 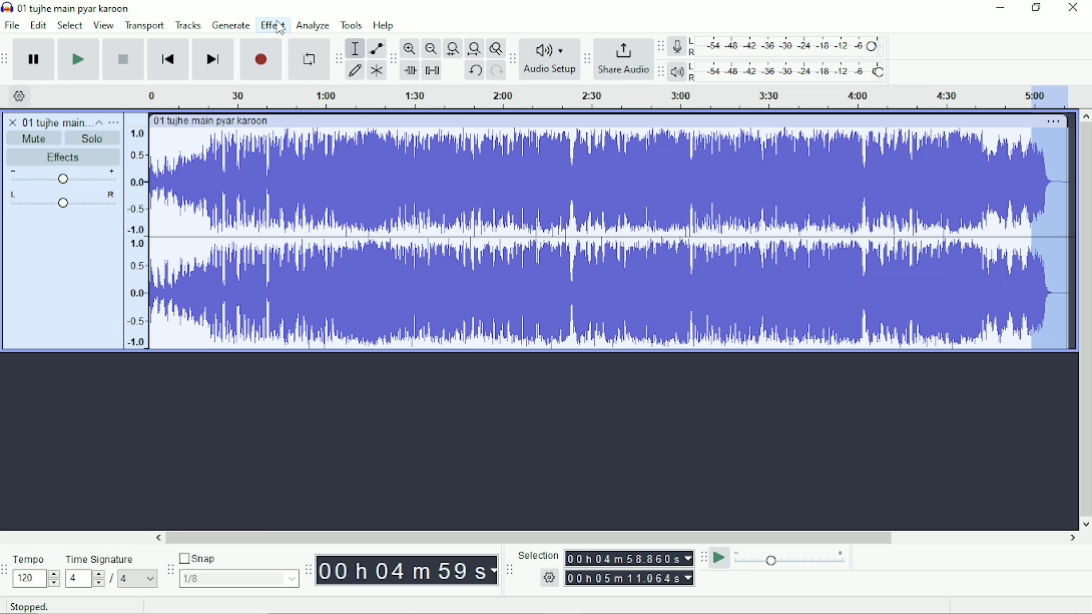 I want to click on View, so click(x=104, y=26).